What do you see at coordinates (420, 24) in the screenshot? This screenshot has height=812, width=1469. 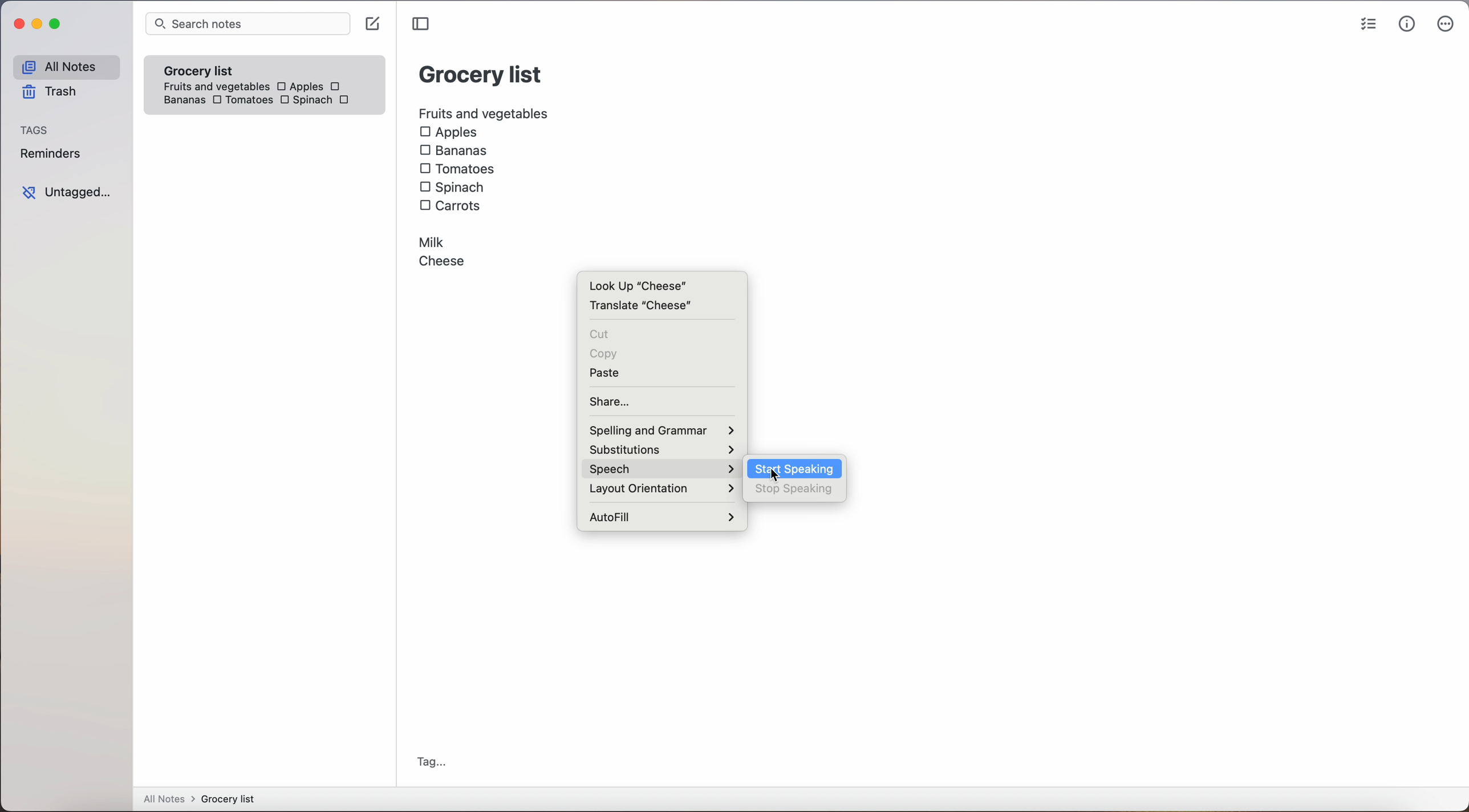 I see `toggle sidebar` at bounding box center [420, 24].